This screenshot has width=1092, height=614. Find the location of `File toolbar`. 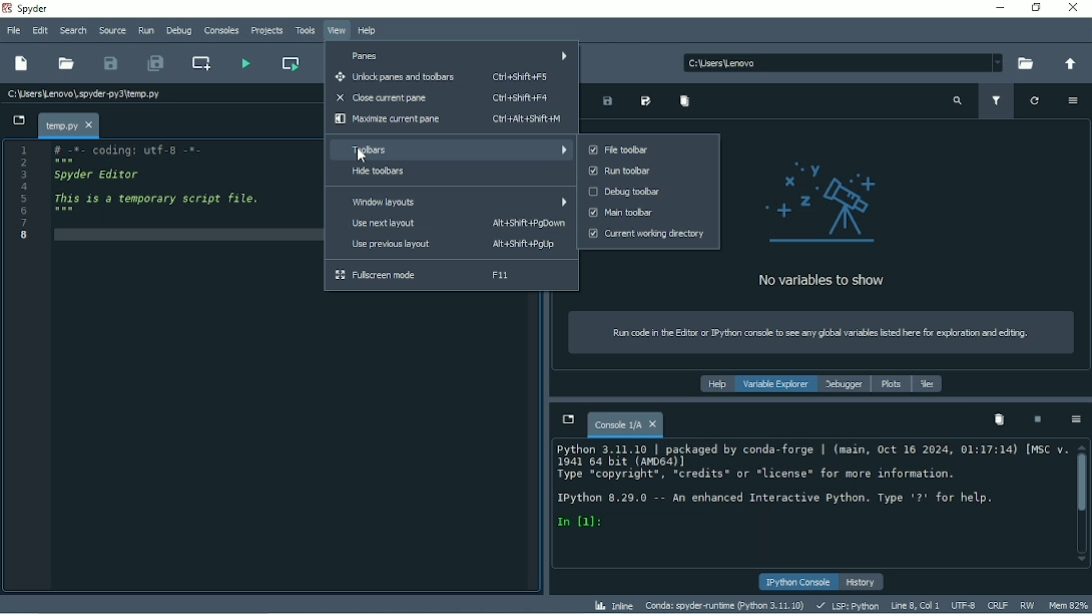

File toolbar is located at coordinates (647, 150).